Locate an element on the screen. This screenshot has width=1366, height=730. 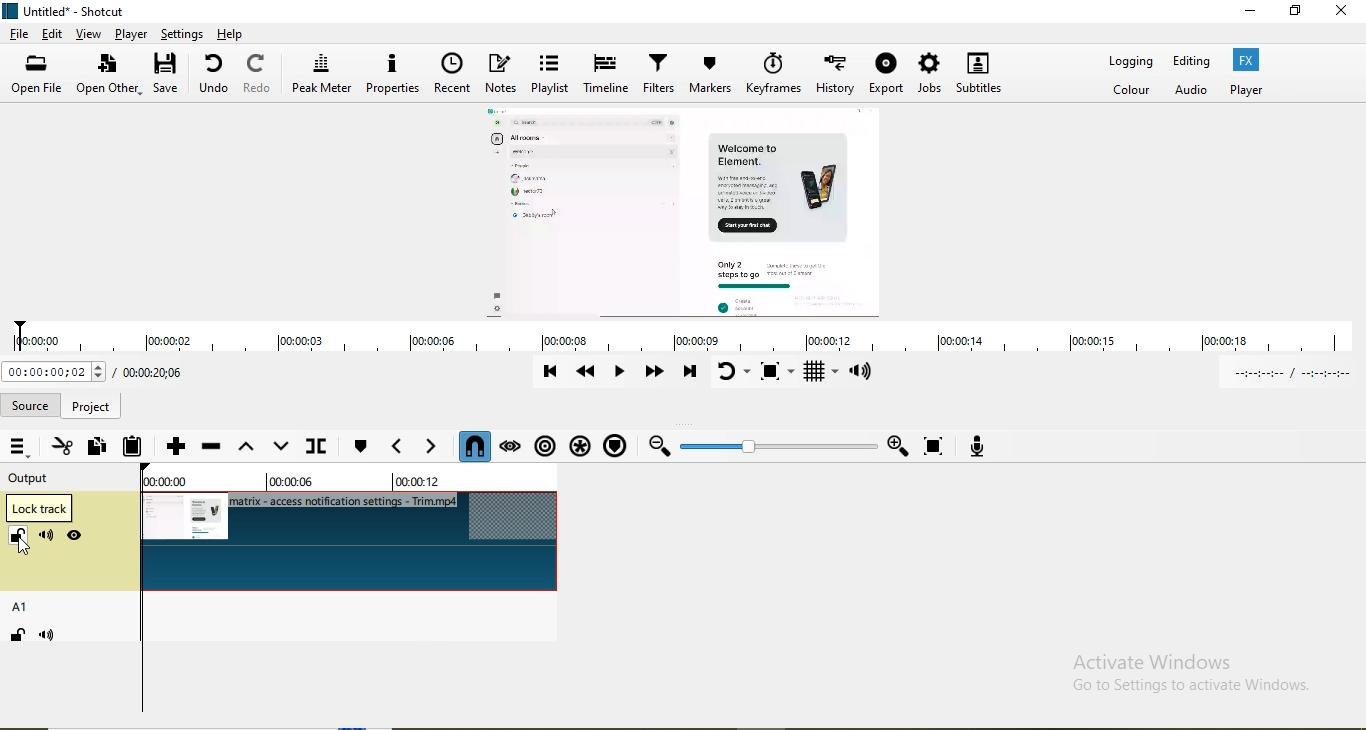
Snap is located at coordinates (475, 446).